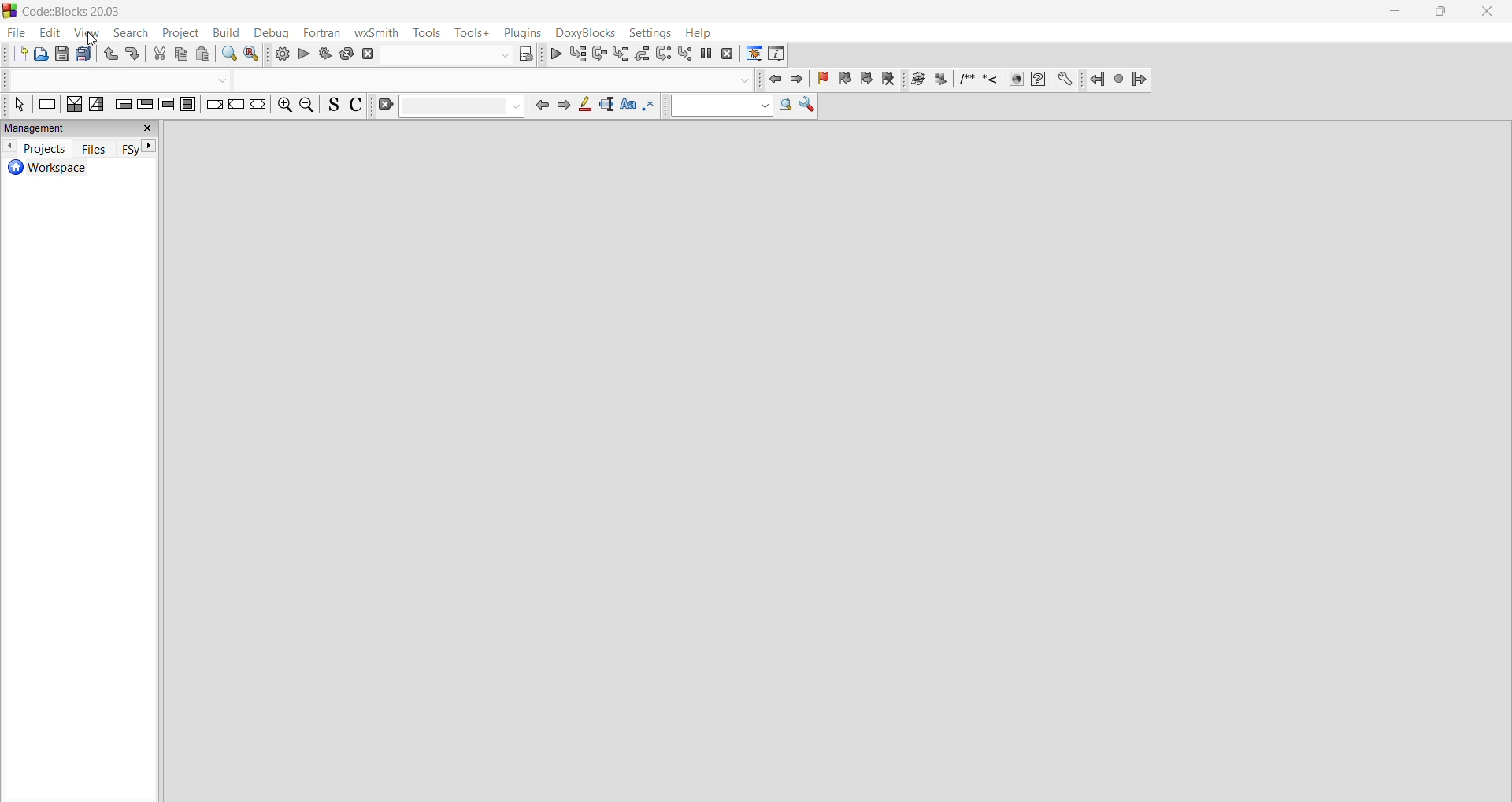  What do you see at coordinates (602, 54) in the screenshot?
I see `next line` at bounding box center [602, 54].